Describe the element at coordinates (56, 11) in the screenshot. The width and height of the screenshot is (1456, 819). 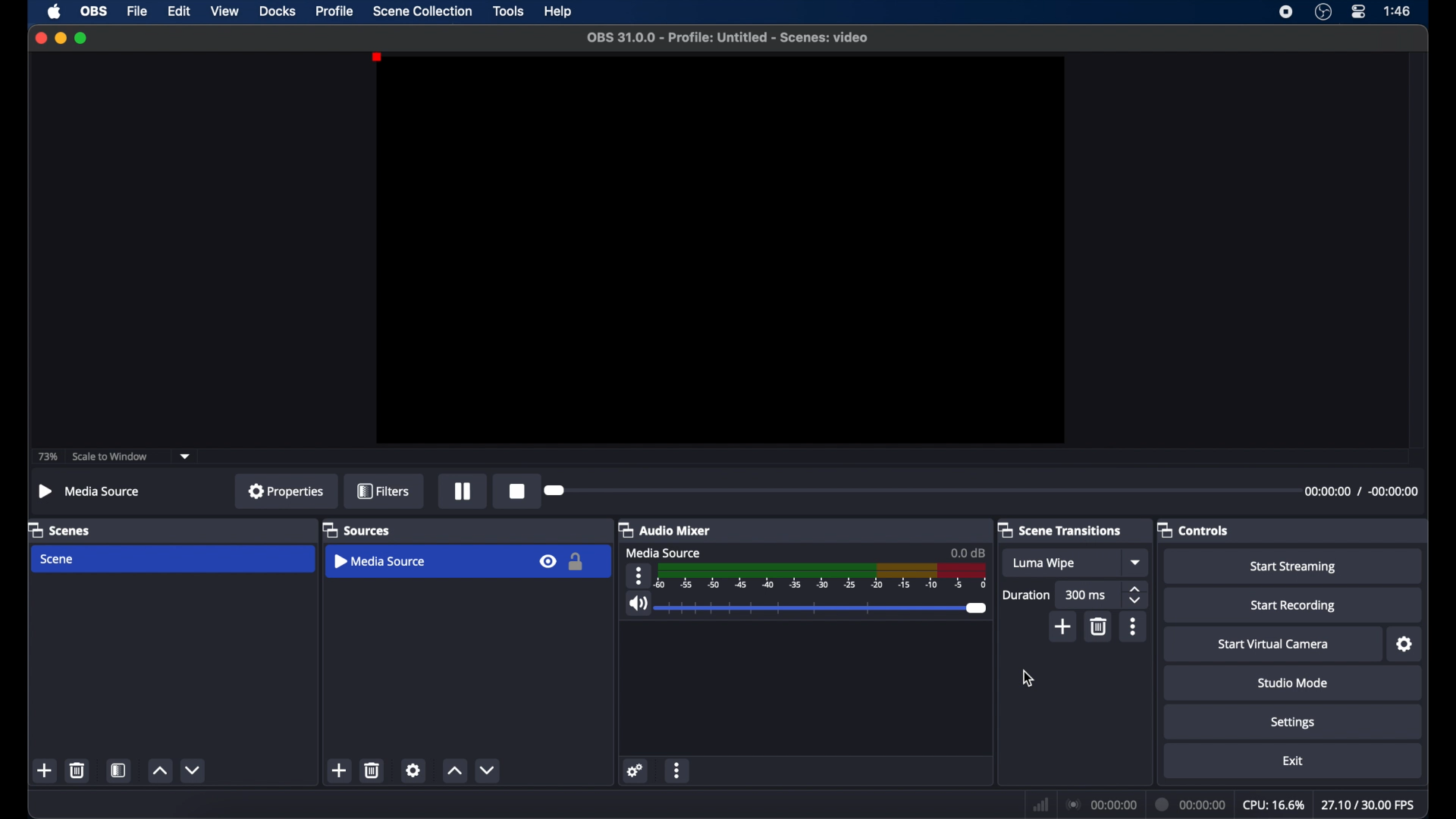
I see `apple icon` at that location.